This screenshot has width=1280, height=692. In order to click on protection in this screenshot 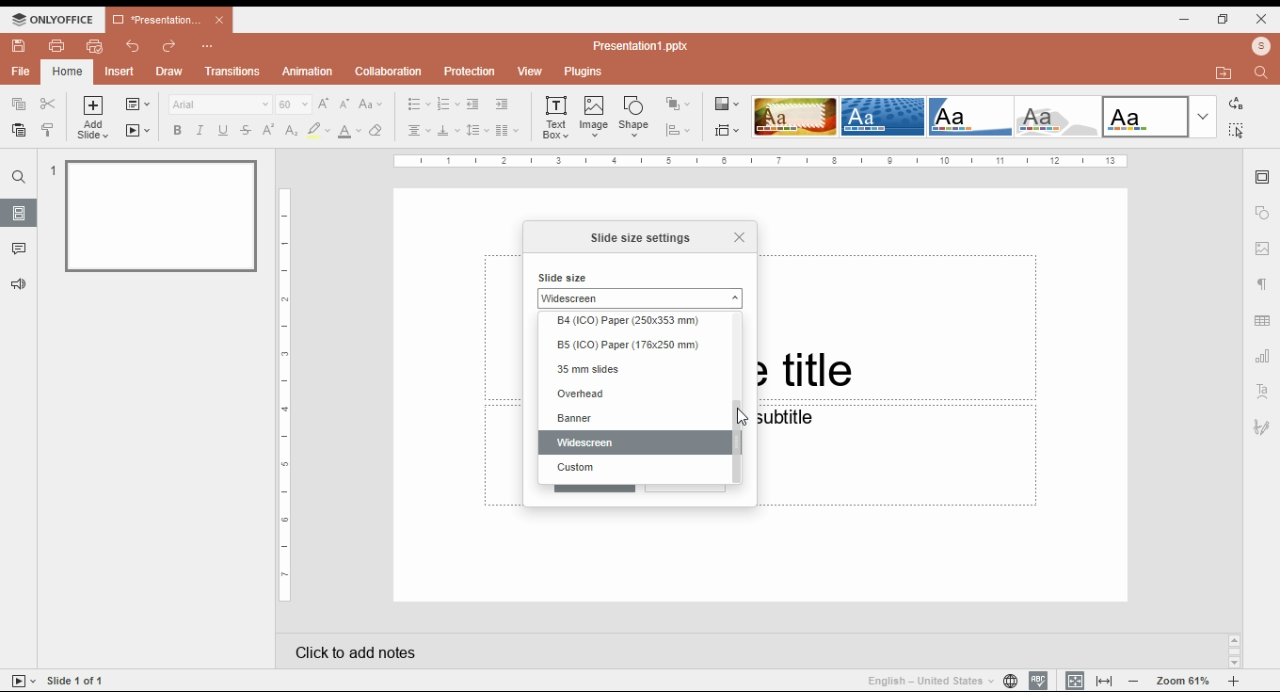, I will do `click(469, 72)`.